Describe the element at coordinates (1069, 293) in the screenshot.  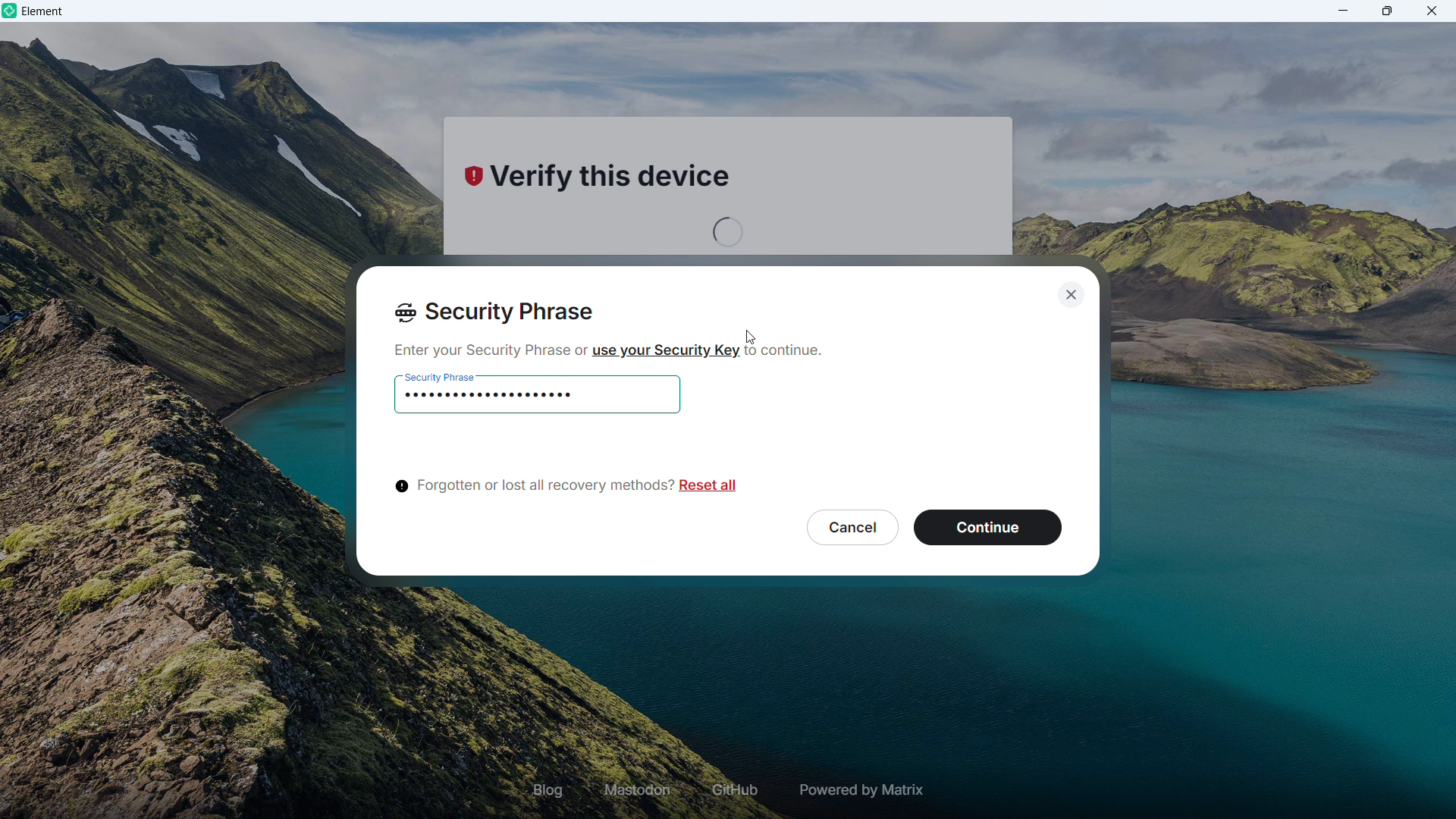
I see `Close ` at that location.